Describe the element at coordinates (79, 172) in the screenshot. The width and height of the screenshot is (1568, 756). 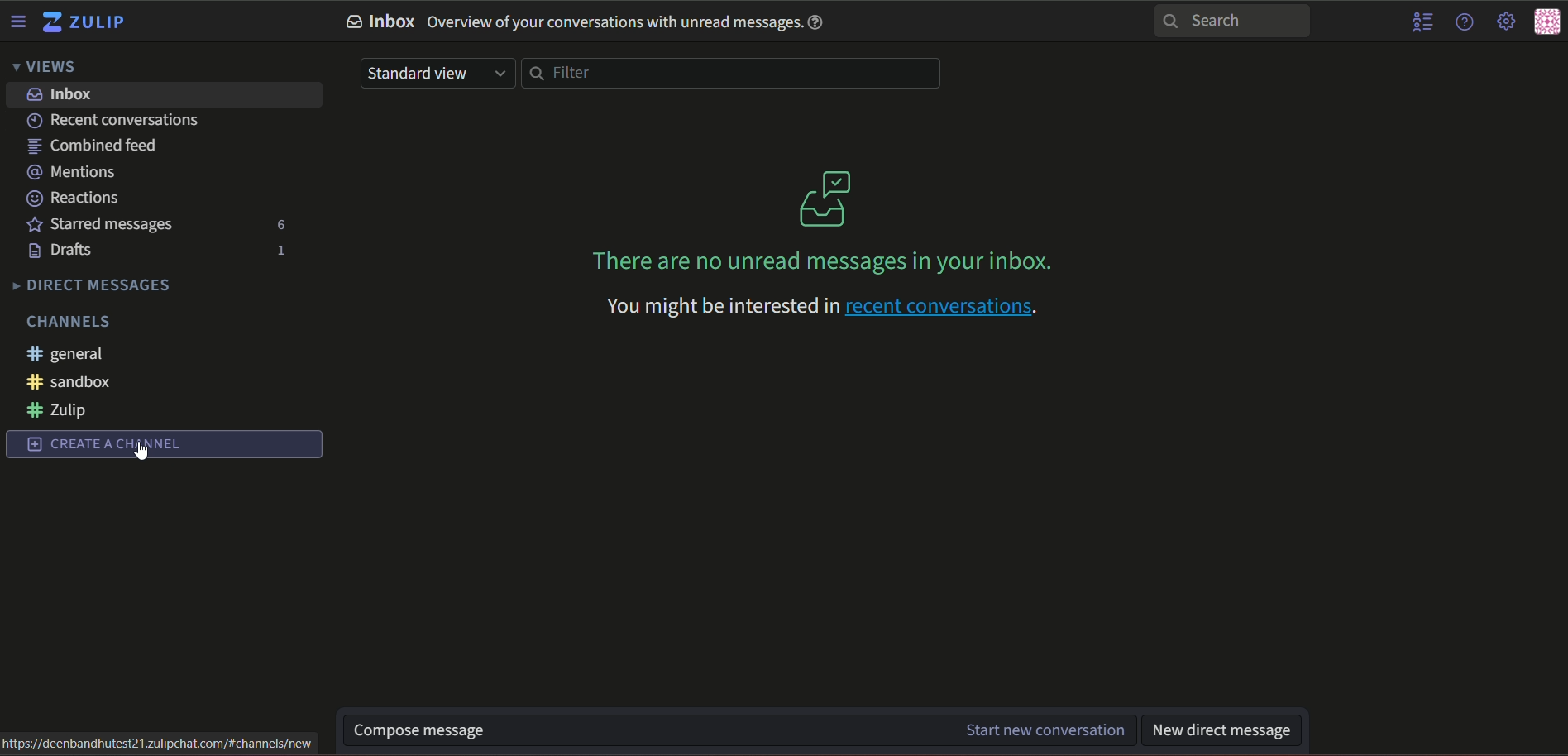
I see `mentions` at that location.